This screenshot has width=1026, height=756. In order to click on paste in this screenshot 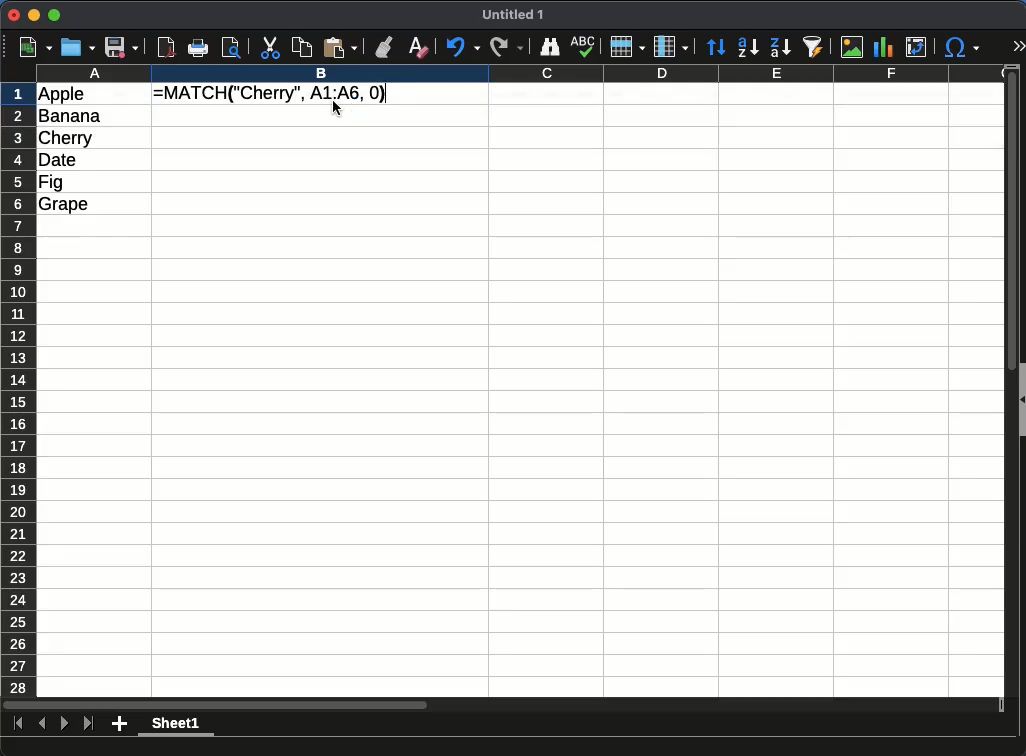, I will do `click(340, 48)`.